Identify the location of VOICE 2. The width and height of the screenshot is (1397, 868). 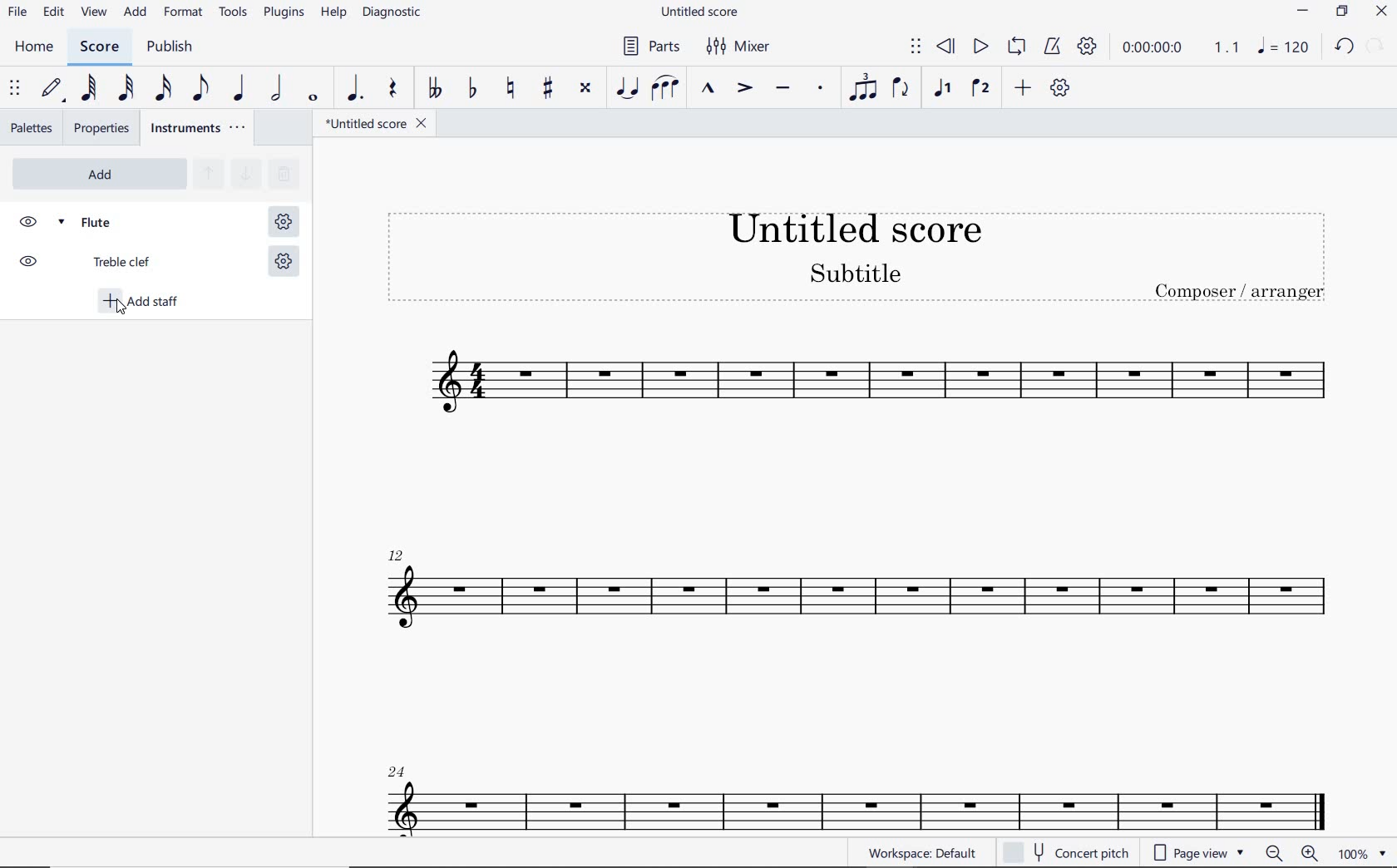
(980, 89).